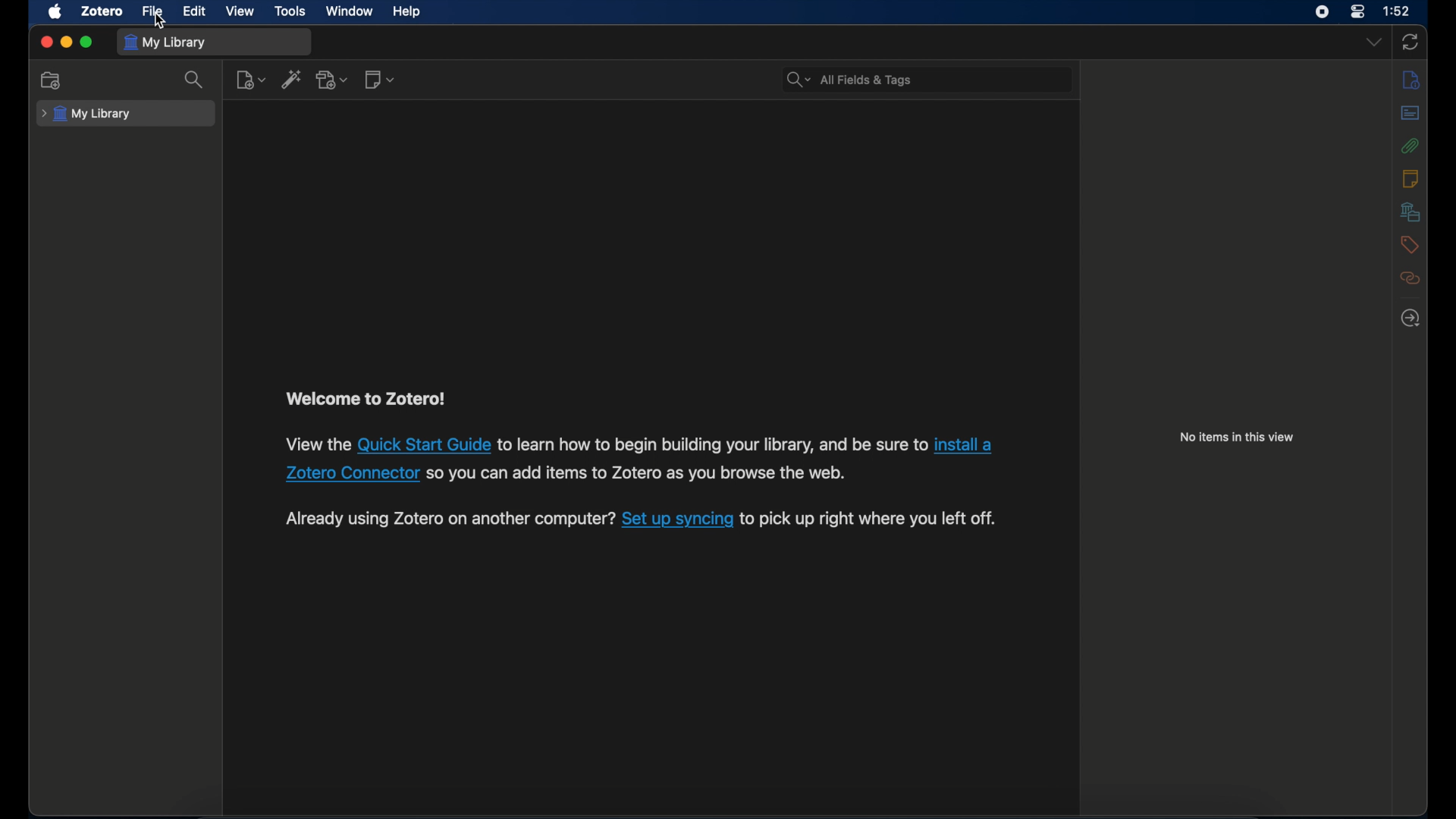 This screenshot has height=819, width=1456. I want to click on zotero, so click(103, 11).